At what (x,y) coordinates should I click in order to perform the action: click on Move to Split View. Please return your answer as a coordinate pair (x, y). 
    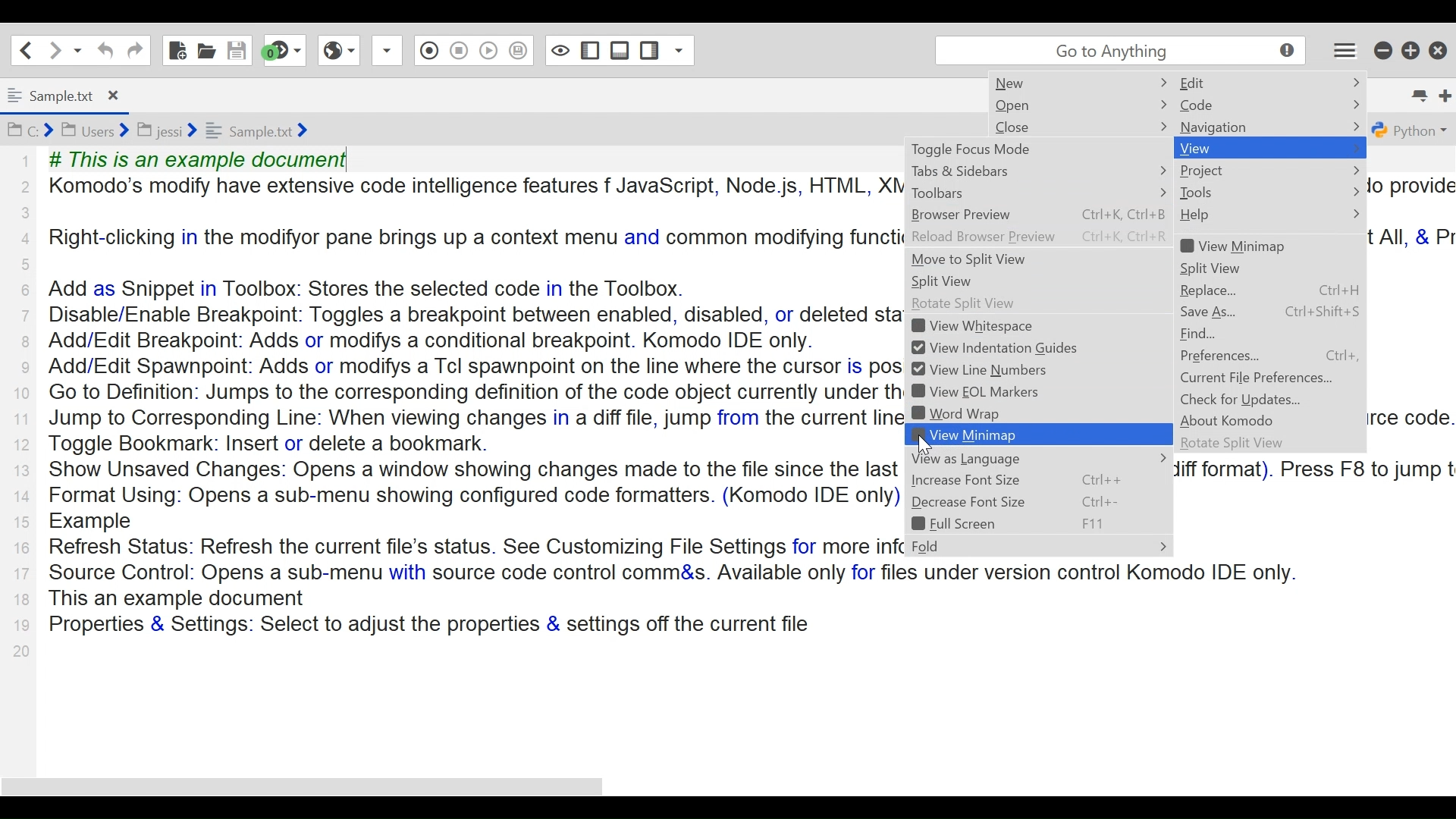
    Looking at the image, I should click on (1039, 260).